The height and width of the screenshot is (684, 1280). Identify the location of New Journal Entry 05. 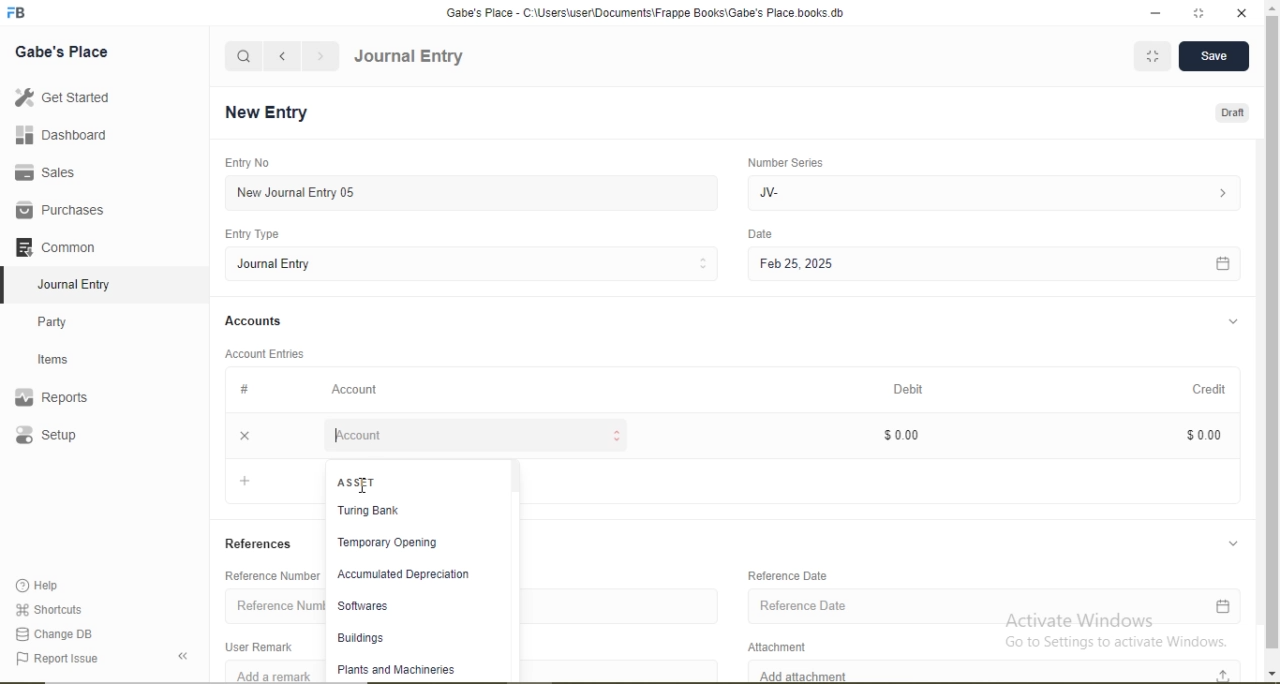
(478, 192).